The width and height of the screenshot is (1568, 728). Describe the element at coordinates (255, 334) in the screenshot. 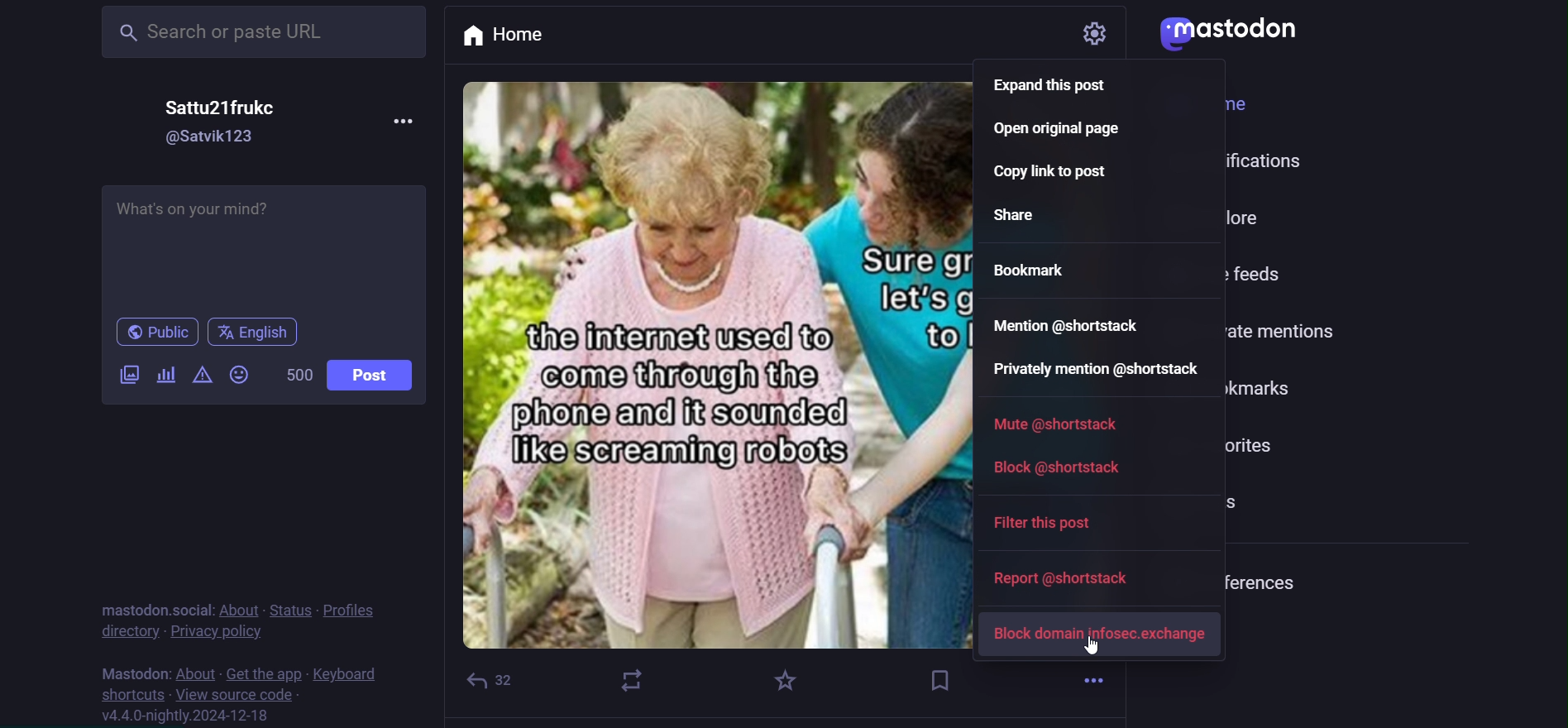

I see `english` at that location.